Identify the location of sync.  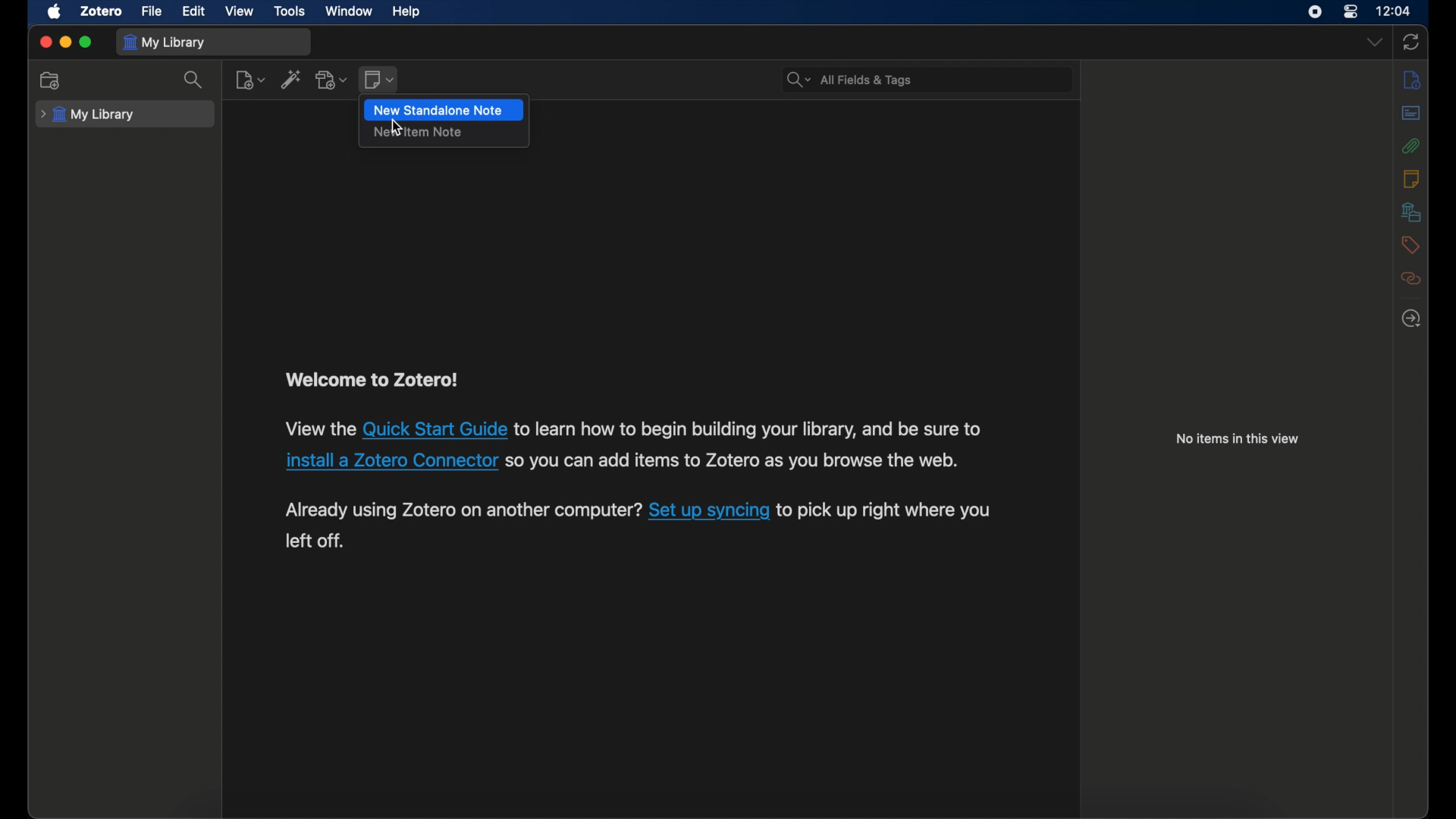
(1411, 43).